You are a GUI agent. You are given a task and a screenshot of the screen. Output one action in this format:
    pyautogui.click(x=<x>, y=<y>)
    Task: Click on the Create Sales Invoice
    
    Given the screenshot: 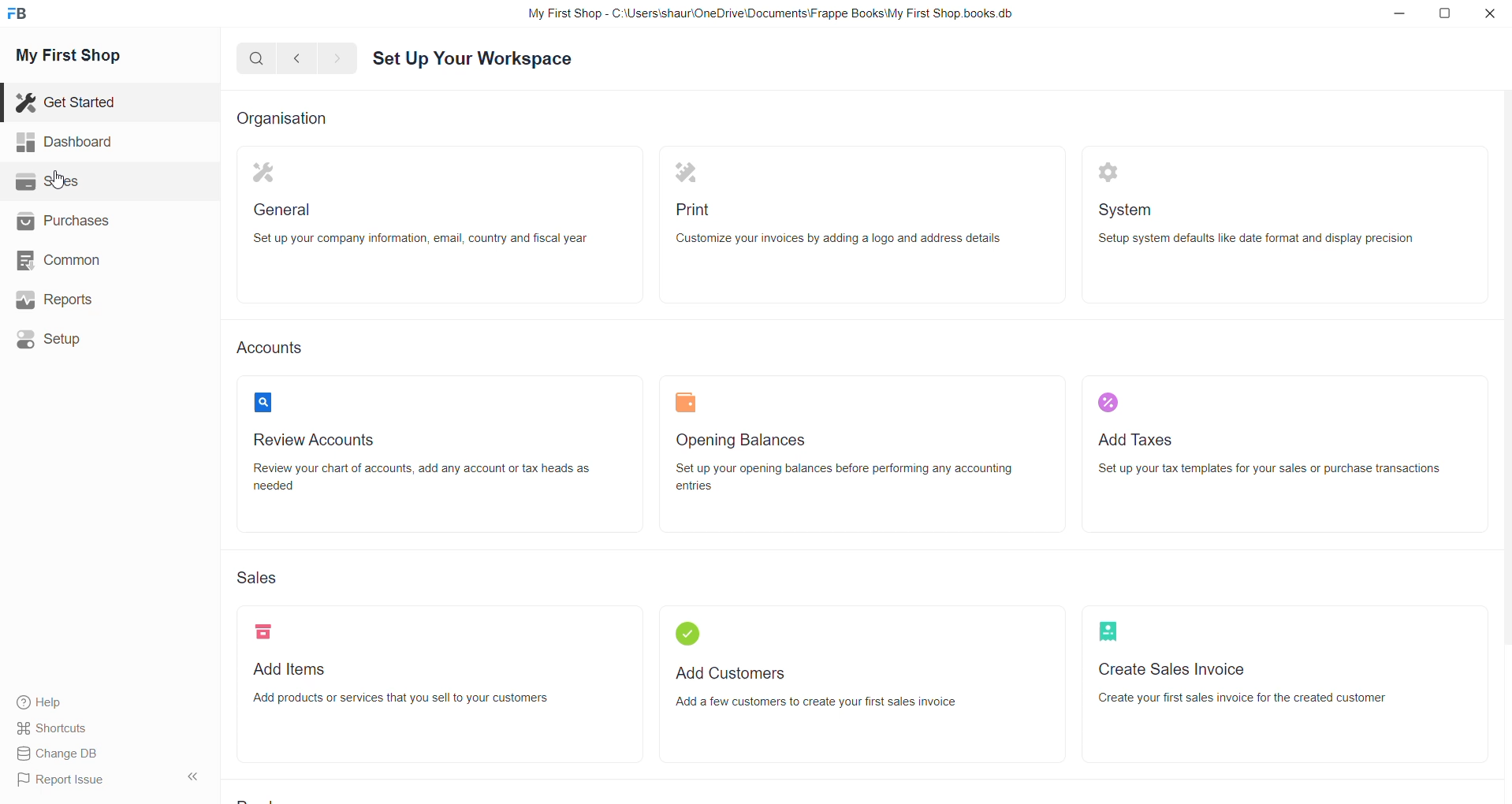 What is the action you would take?
    pyautogui.click(x=1288, y=684)
    